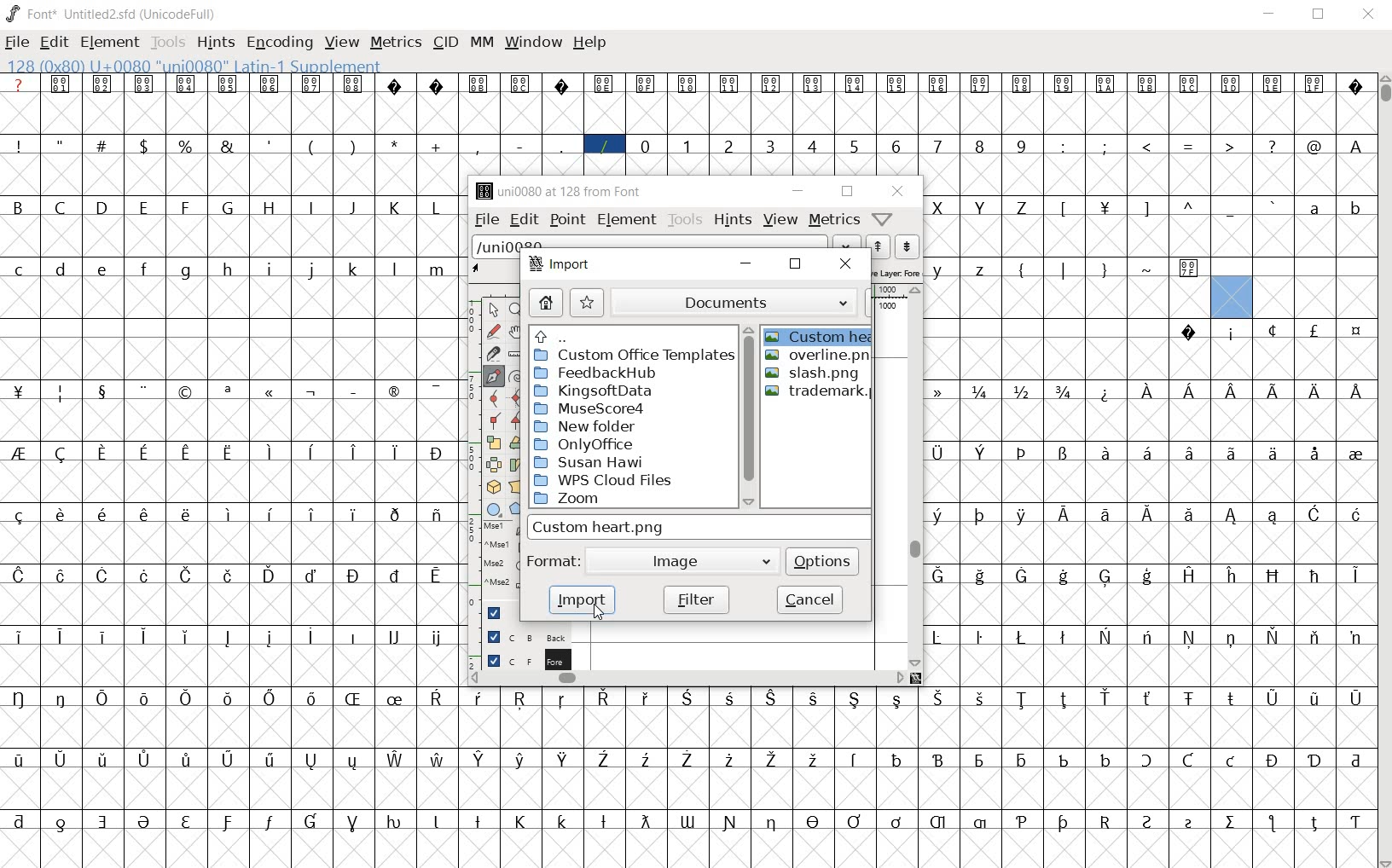 This screenshot has height=868, width=1392. Describe the element at coordinates (1106, 84) in the screenshot. I see `glyph` at that location.